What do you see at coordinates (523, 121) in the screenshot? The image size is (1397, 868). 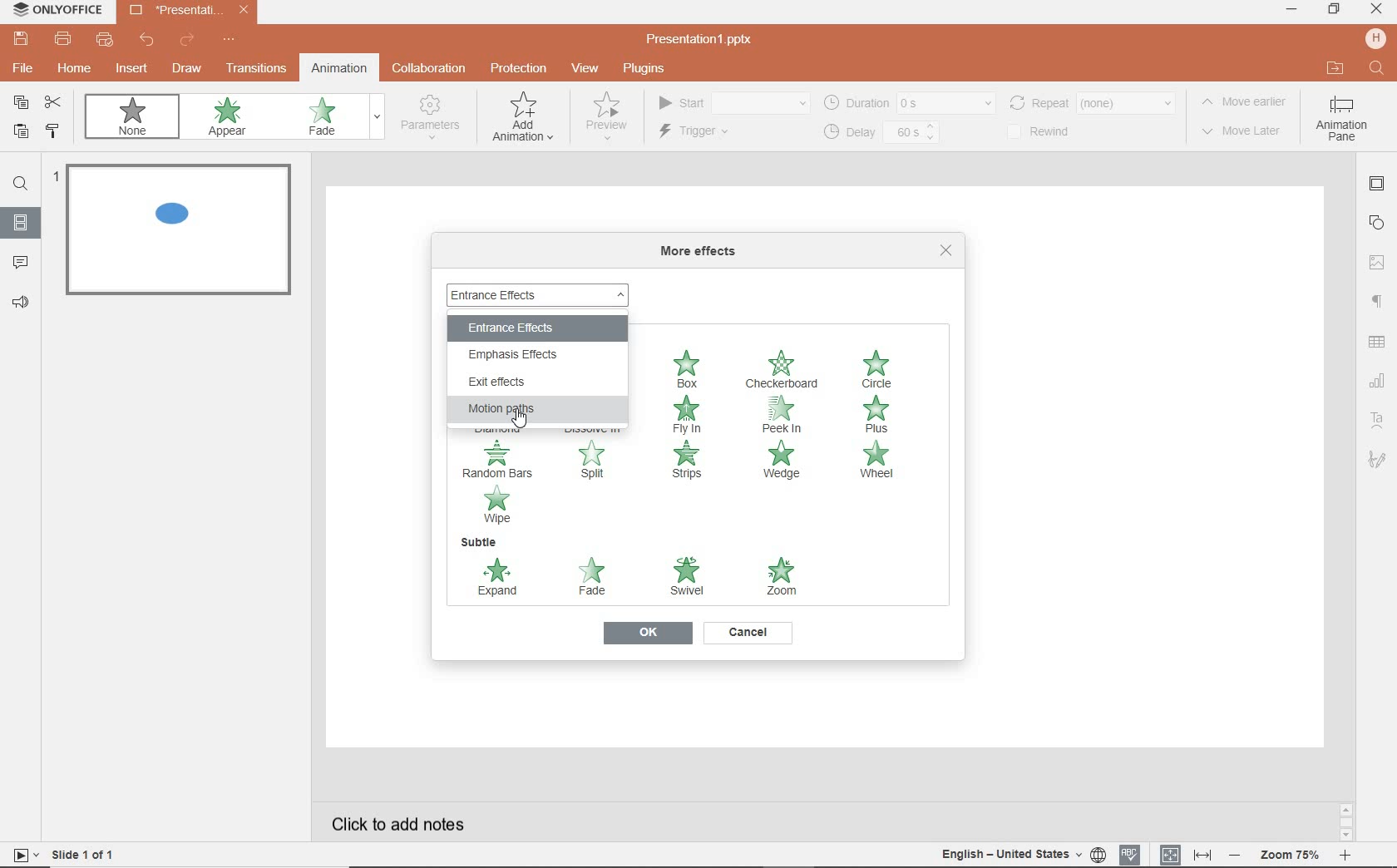 I see `ANIMATION` at bounding box center [523, 121].